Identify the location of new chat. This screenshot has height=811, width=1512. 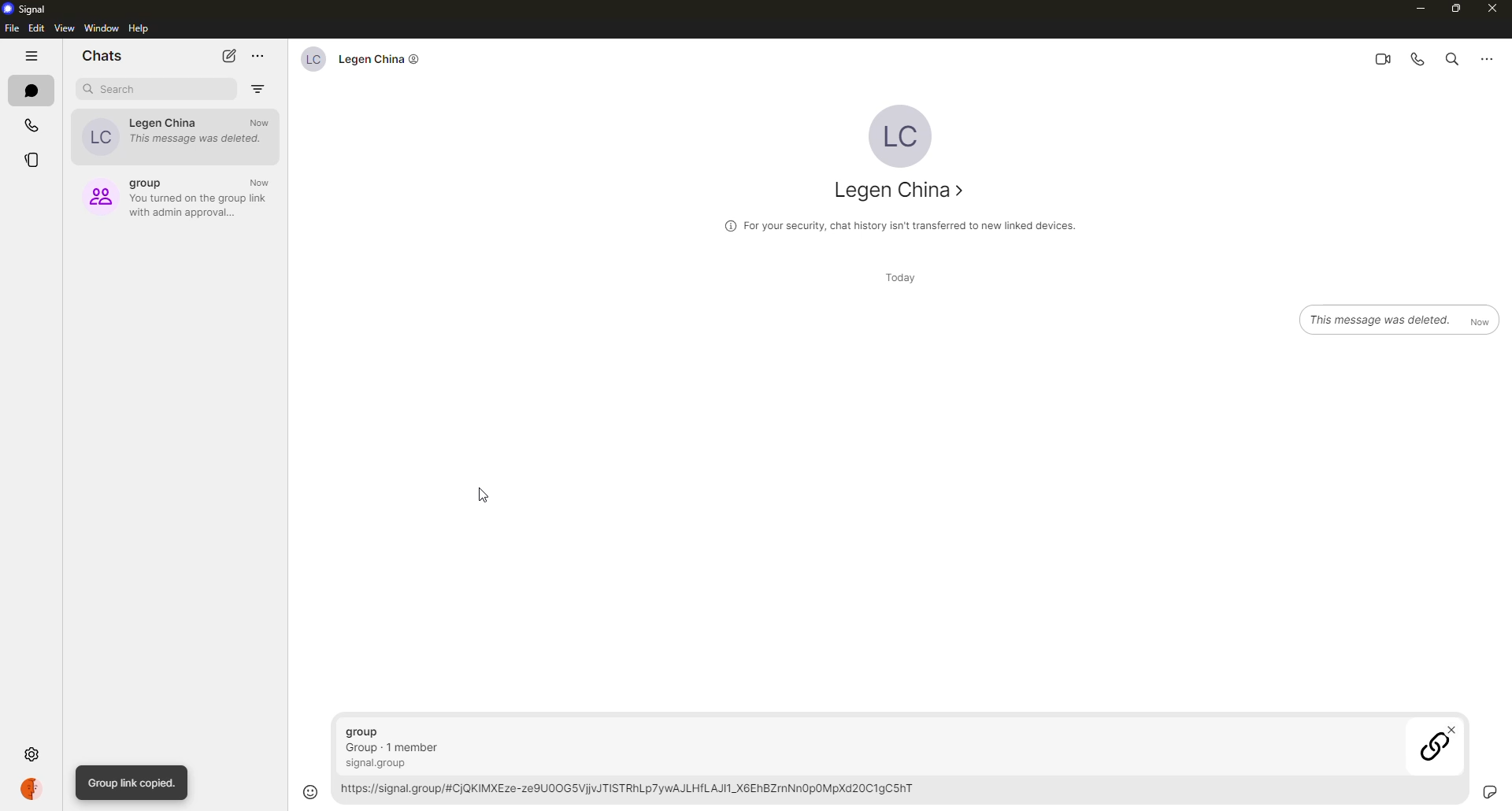
(230, 55).